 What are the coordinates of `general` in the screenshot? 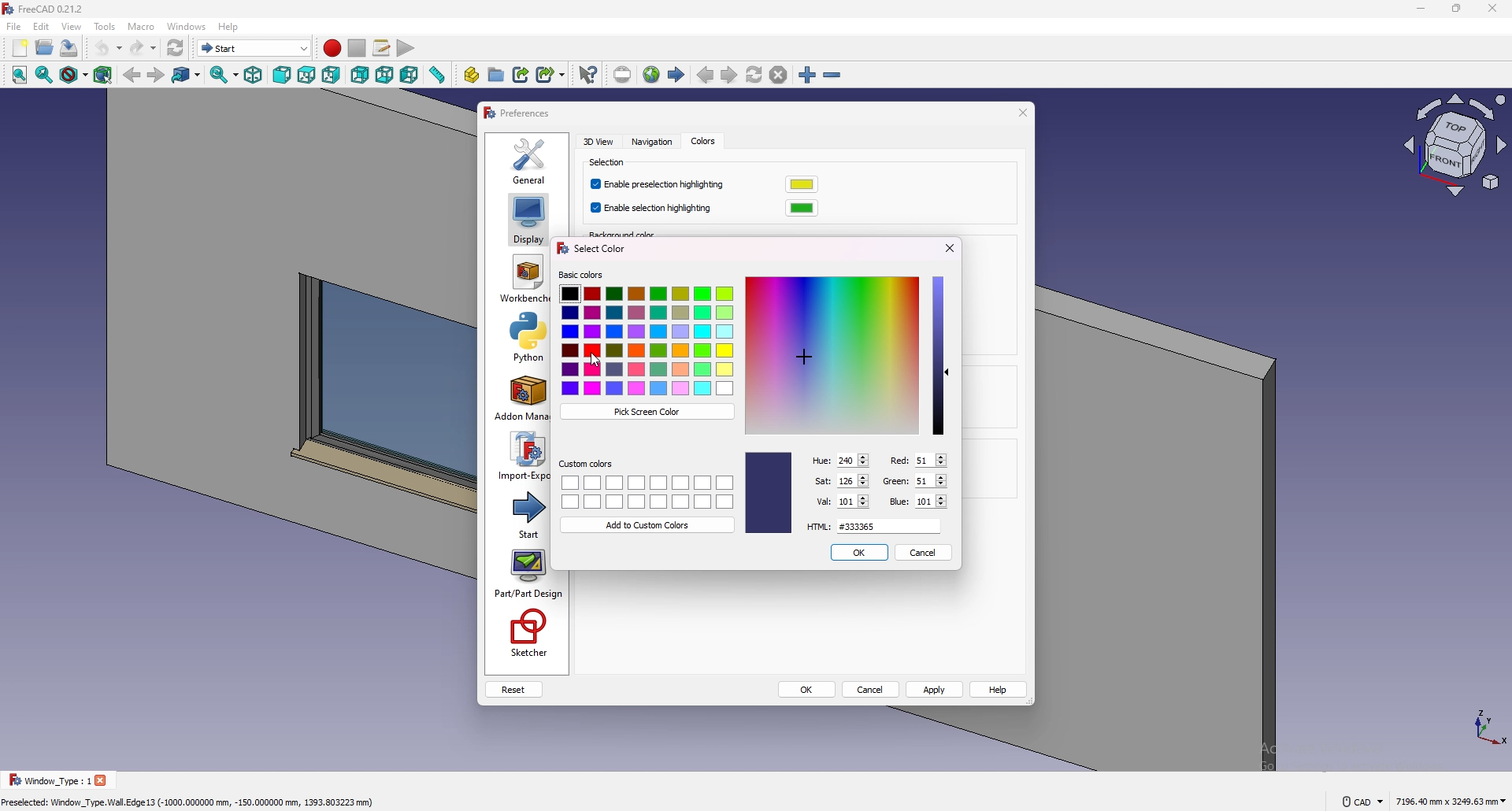 It's located at (530, 160).